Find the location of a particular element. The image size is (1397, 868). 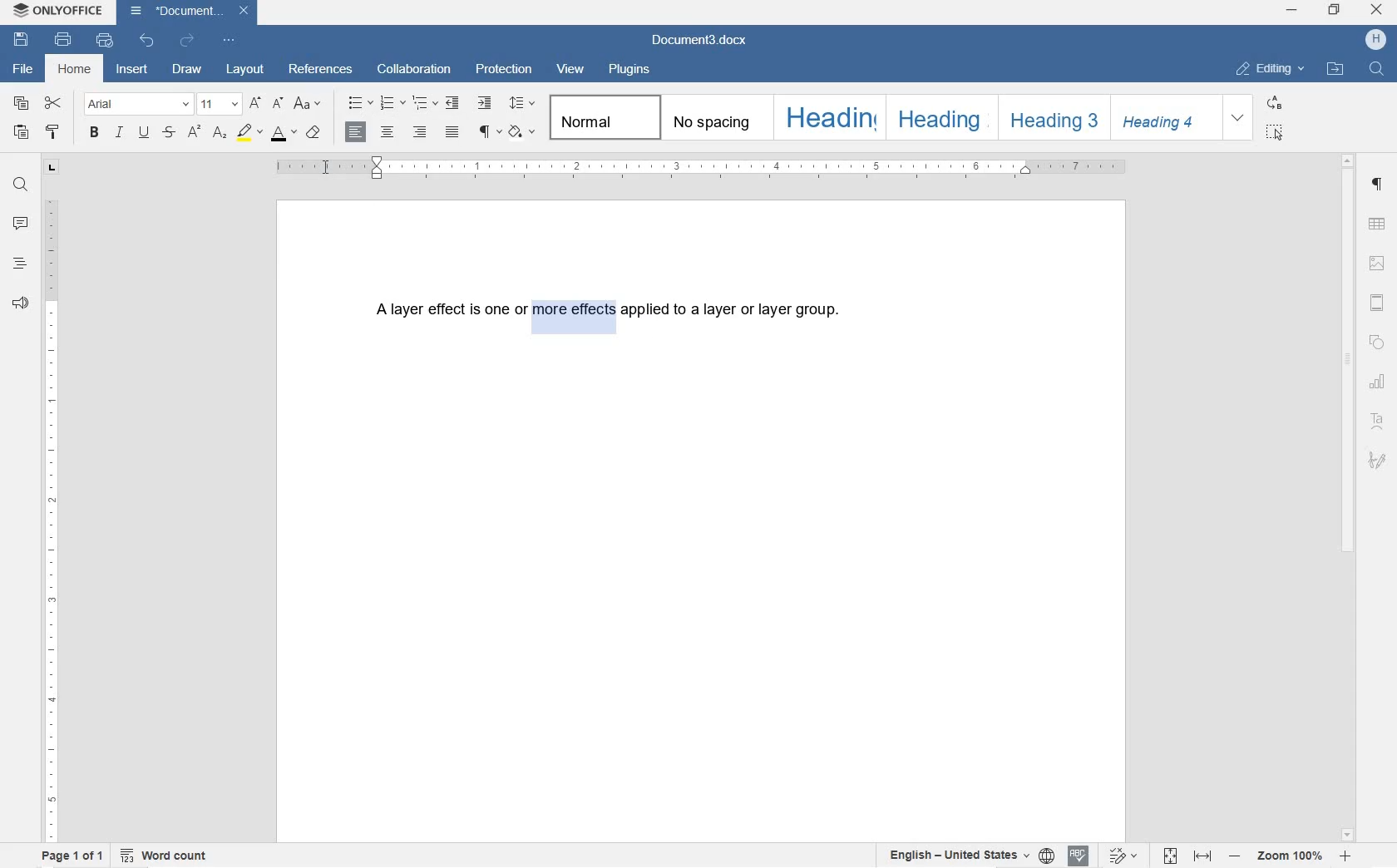

COPY STYLE is located at coordinates (54, 133).